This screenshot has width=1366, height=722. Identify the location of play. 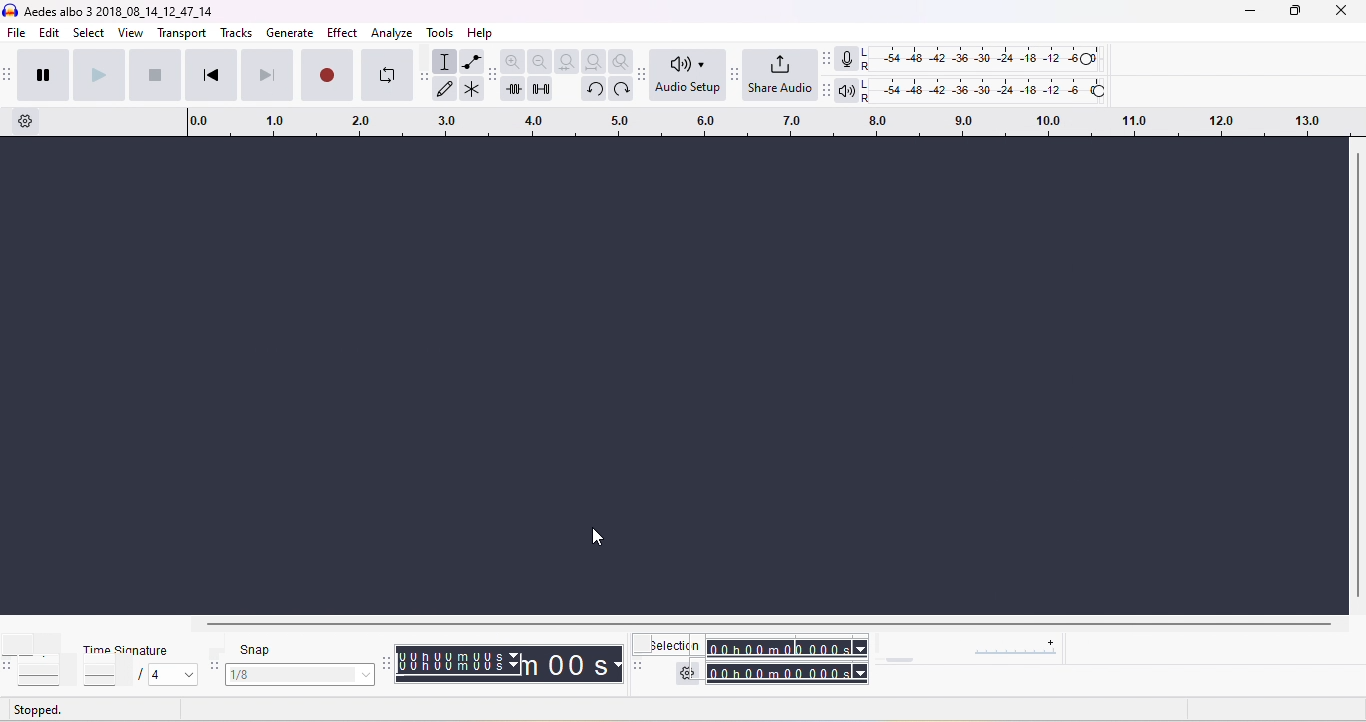
(98, 73).